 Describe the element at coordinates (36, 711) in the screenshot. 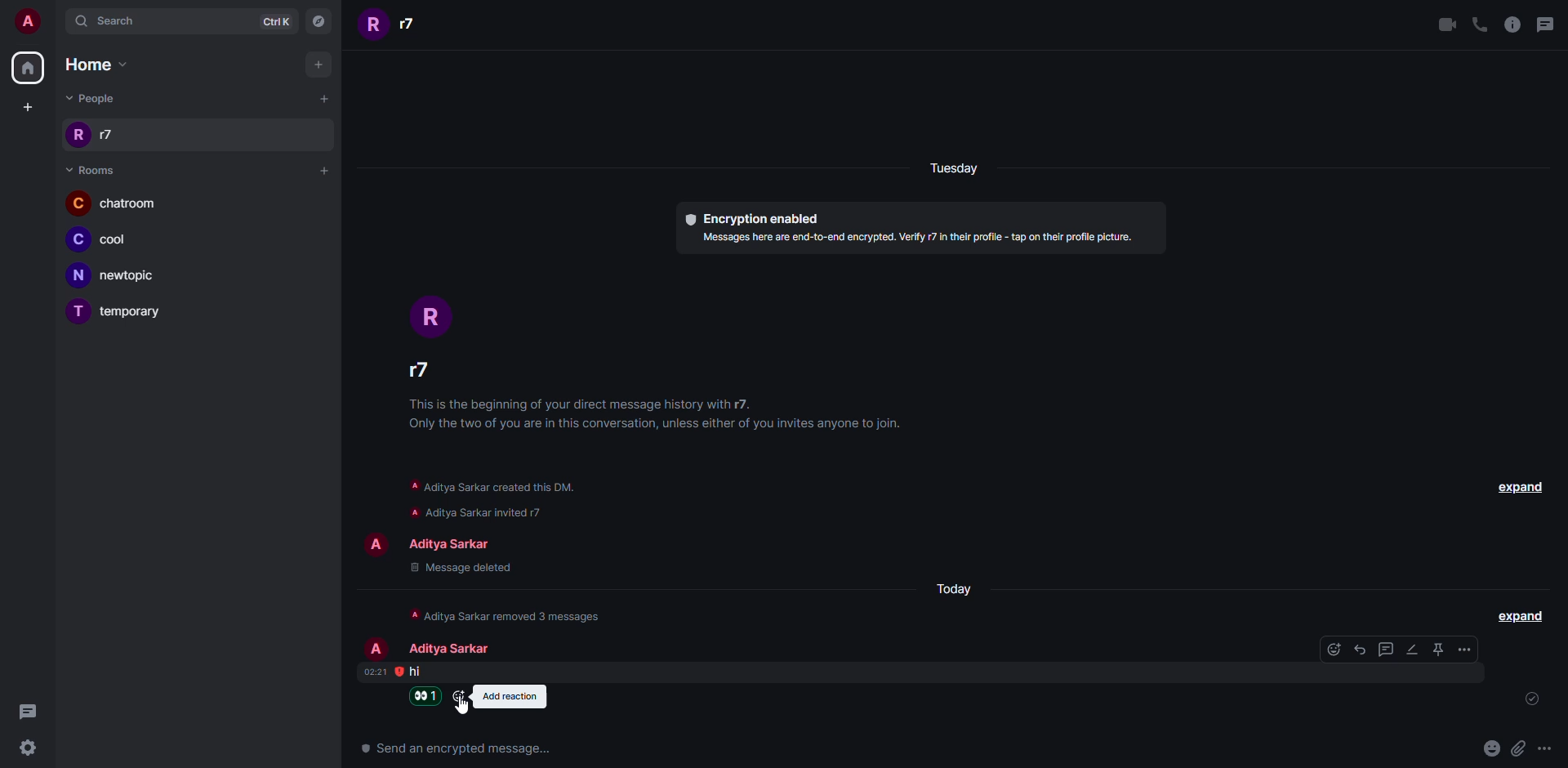

I see `threads` at that location.